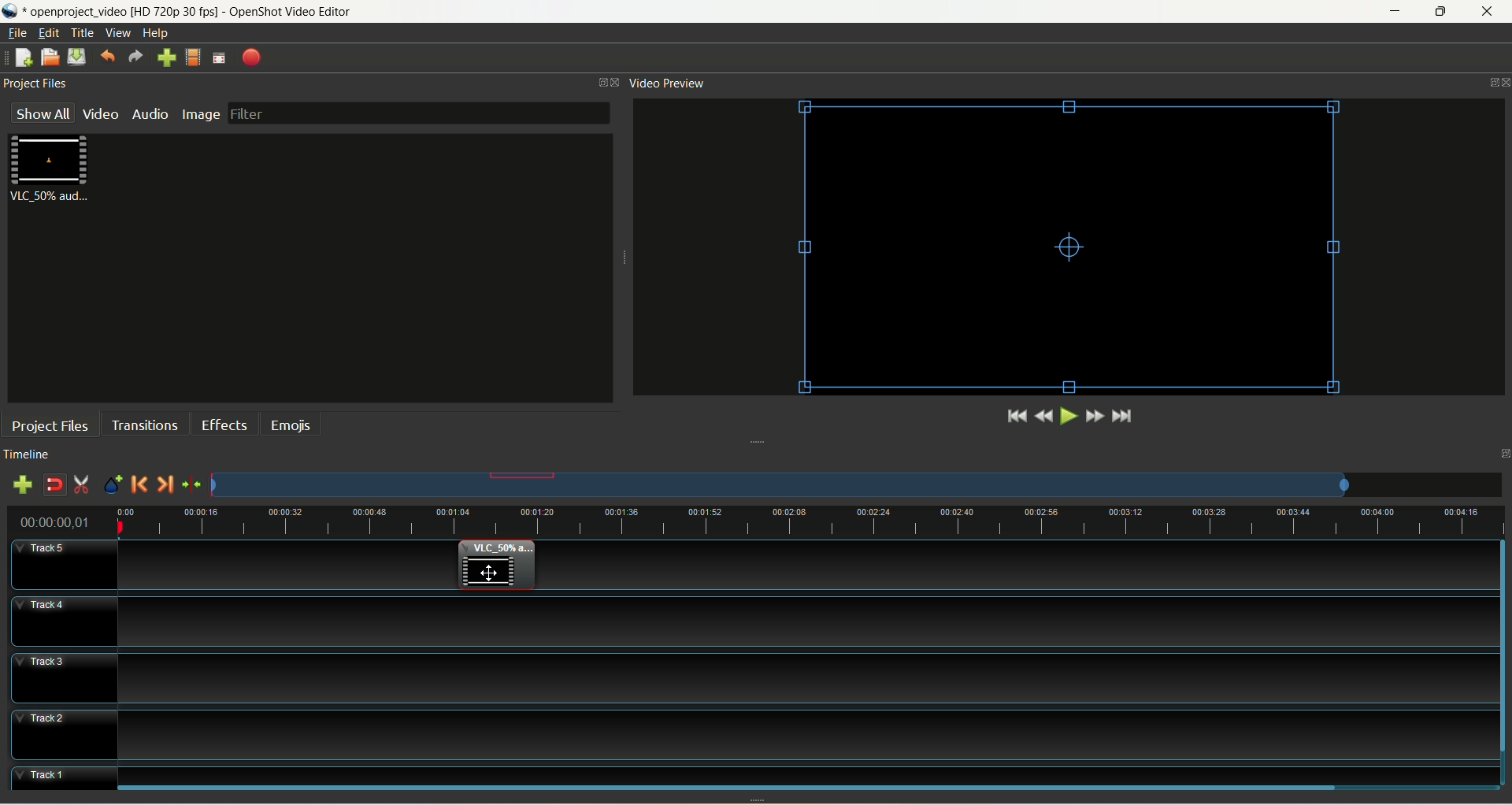  What do you see at coordinates (610, 83) in the screenshot?
I see `Panel control menu` at bounding box center [610, 83].